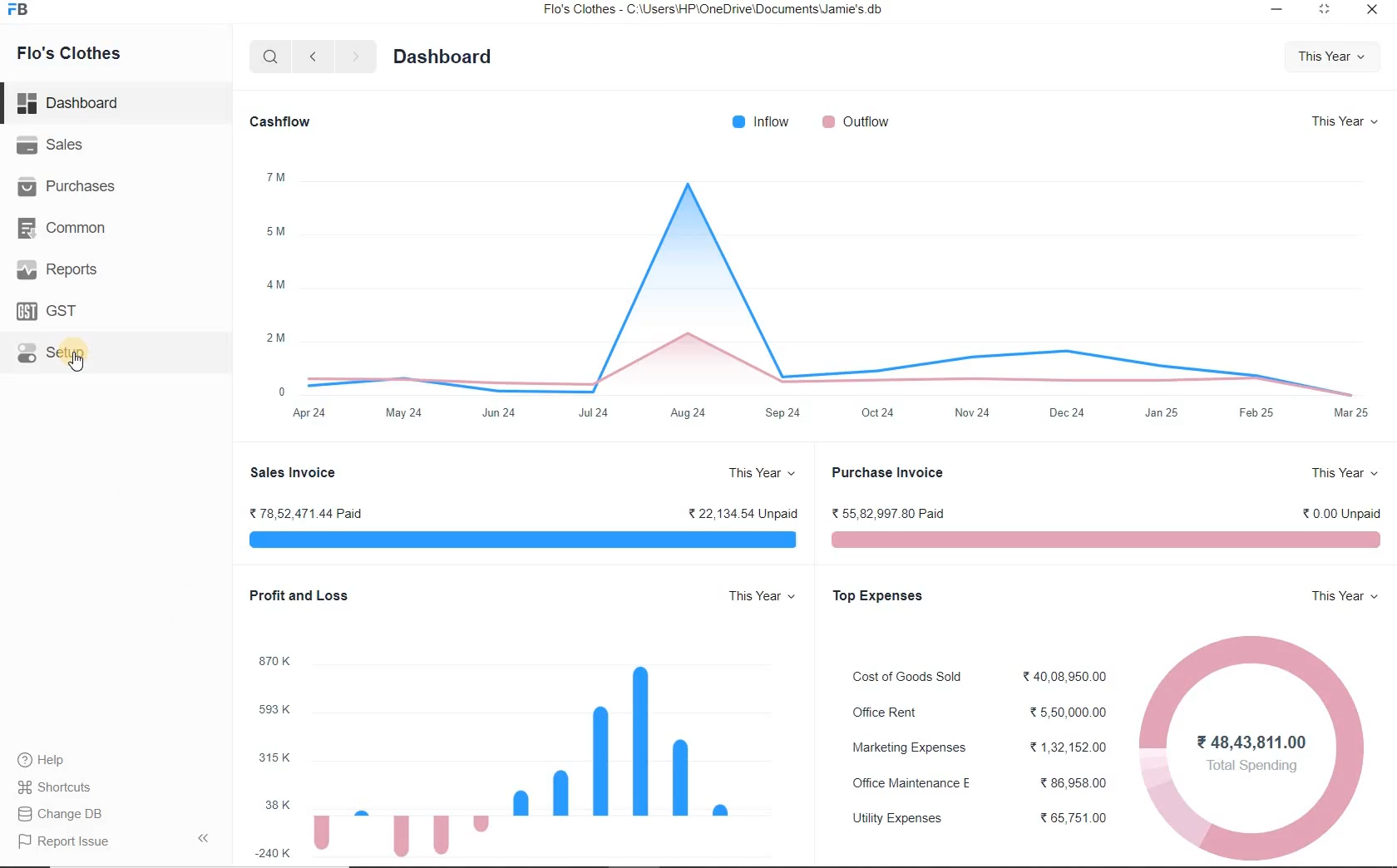 Image resolution: width=1397 pixels, height=868 pixels. I want to click on Cashflow, so click(284, 123).